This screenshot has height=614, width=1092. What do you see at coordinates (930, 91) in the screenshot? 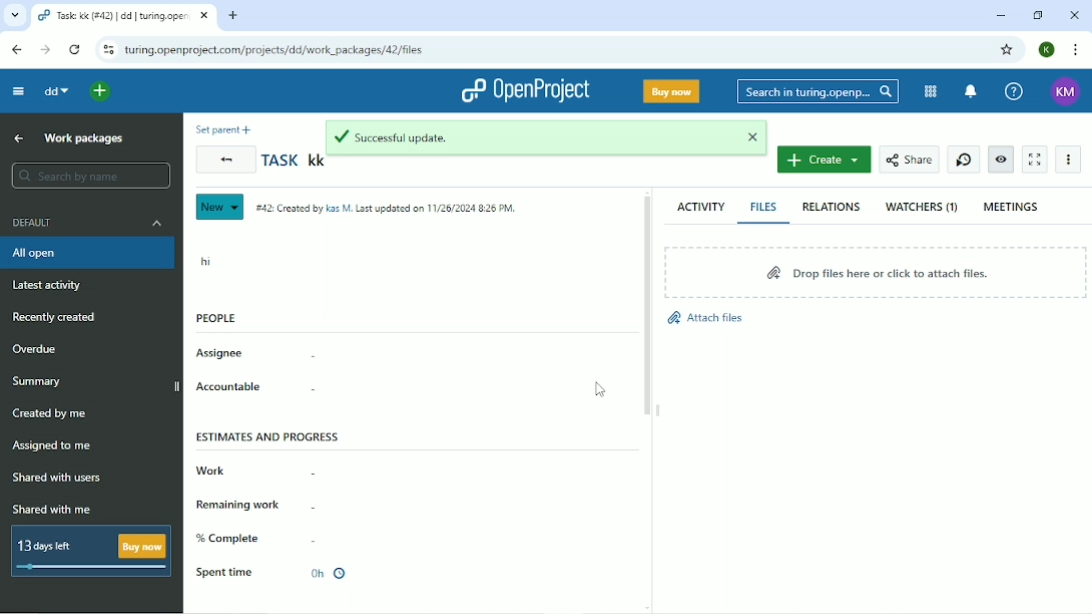
I see `Modules` at bounding box center [930, 91].